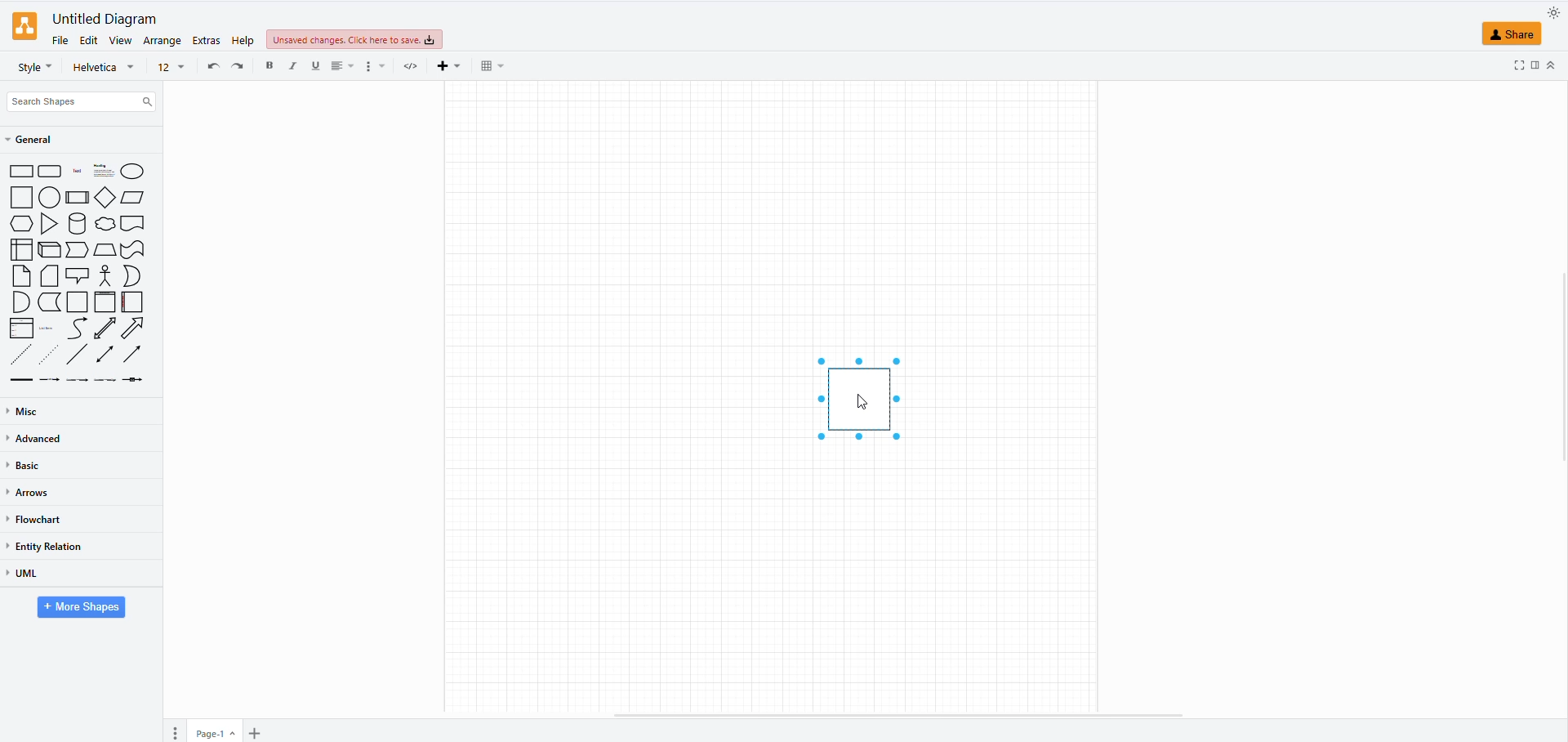  What do you see at coordinates (316, 66) in the screenshot?
I see `underline` at bounding box center [316, 66].